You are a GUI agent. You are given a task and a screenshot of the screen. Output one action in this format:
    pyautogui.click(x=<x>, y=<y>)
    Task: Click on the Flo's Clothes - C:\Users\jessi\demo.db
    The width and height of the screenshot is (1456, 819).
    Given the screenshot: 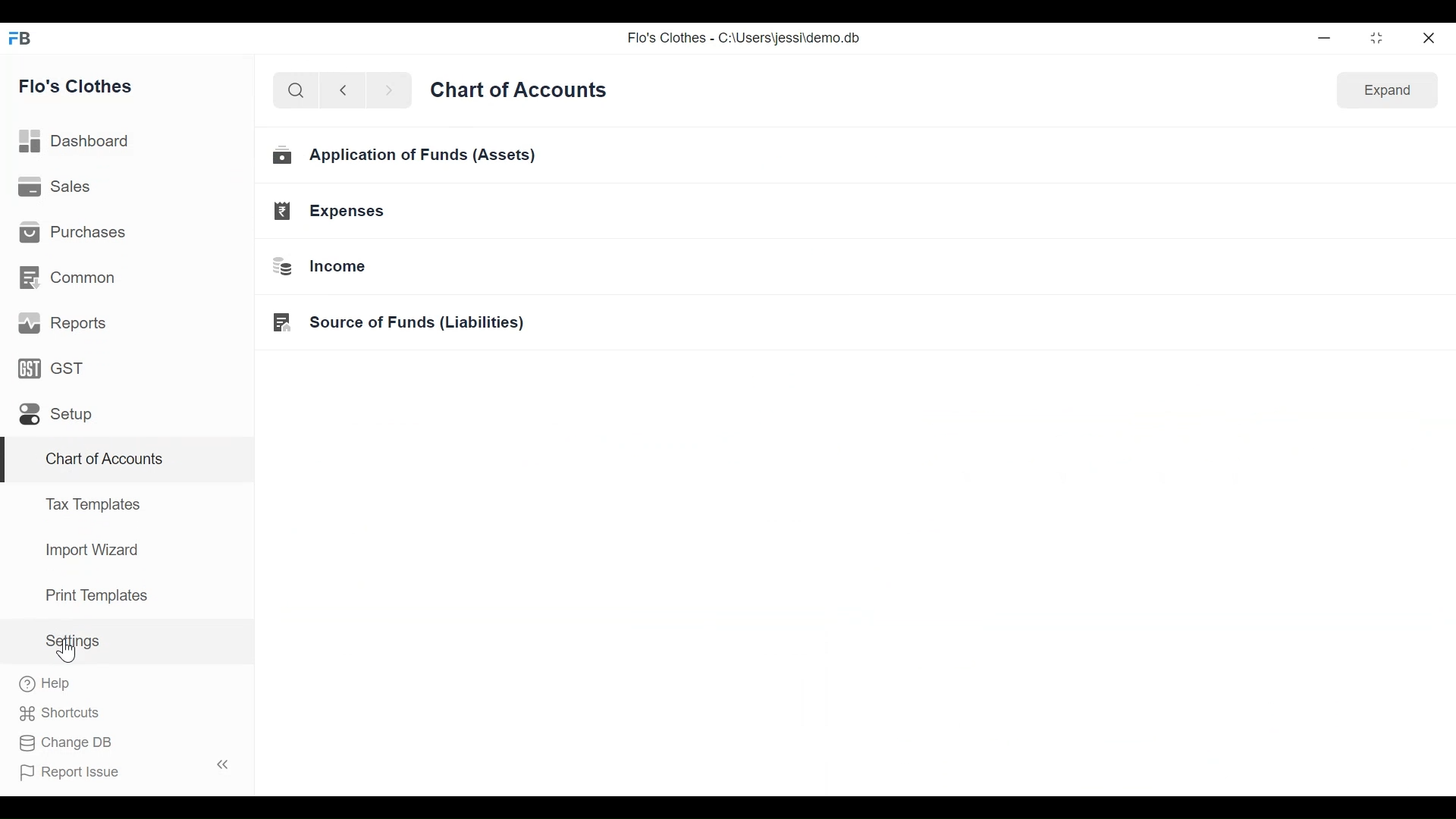 What is the action you would take?
    pyautogui.click(x=745, y=37)
    